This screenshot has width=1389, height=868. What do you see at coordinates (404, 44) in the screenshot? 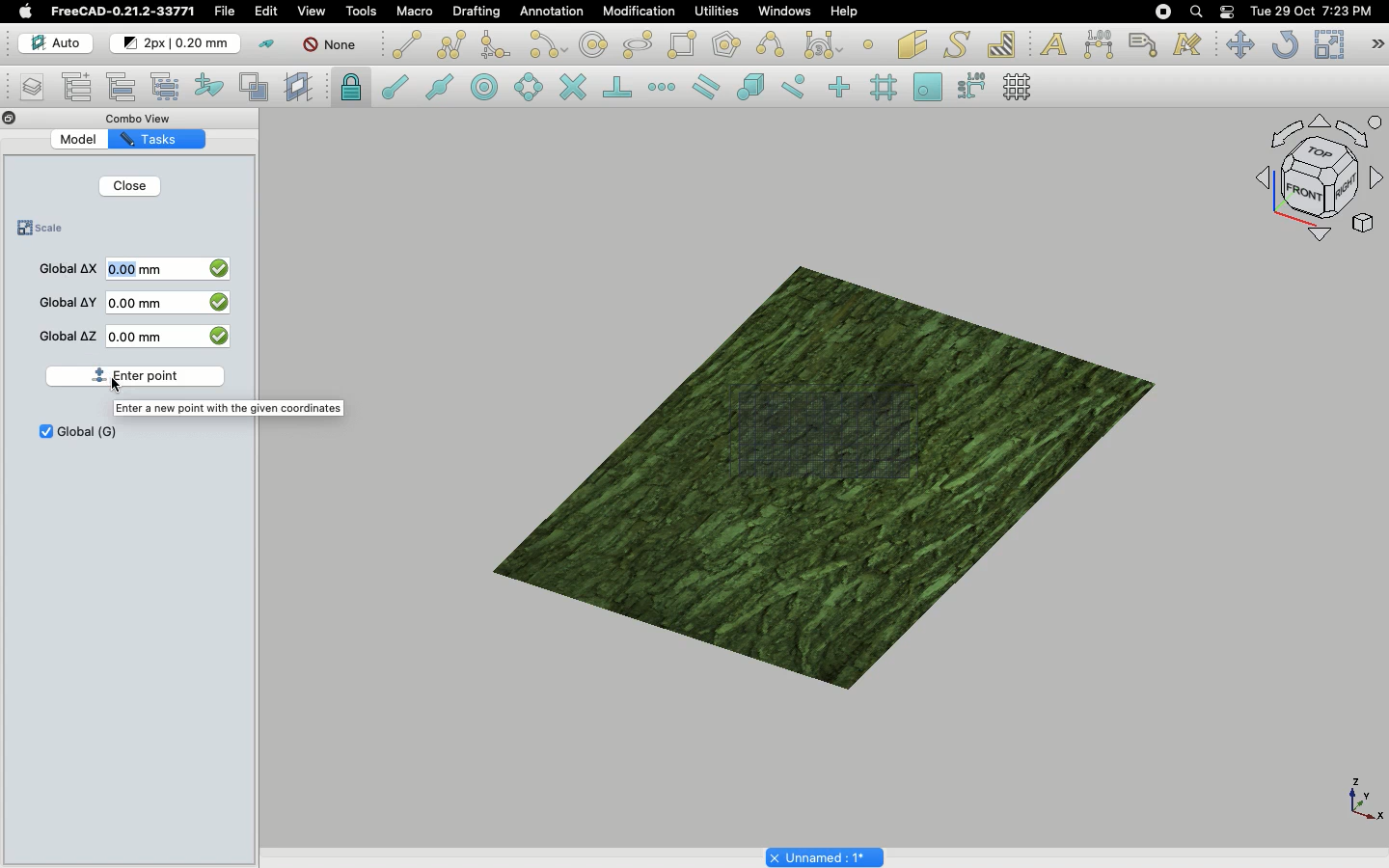
I see `Line` at bounding box center [404, 44].